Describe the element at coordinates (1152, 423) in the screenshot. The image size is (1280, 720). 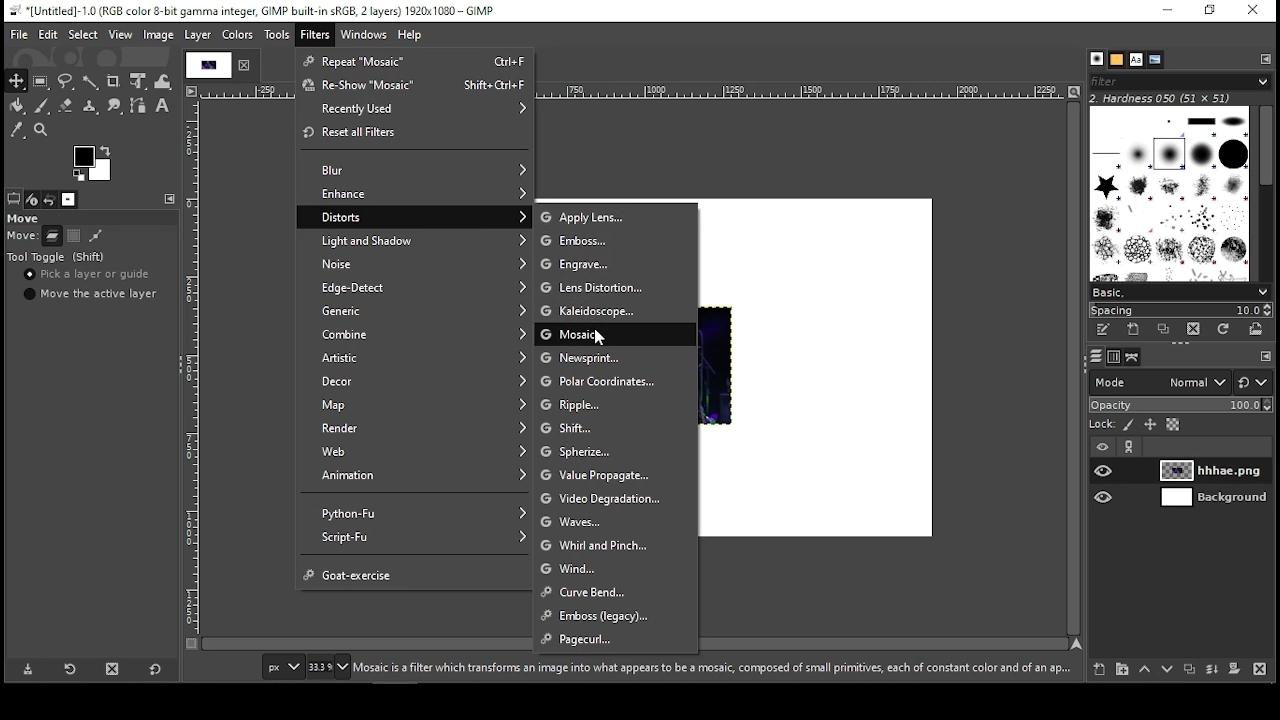
I see `lock size and position` at that location.